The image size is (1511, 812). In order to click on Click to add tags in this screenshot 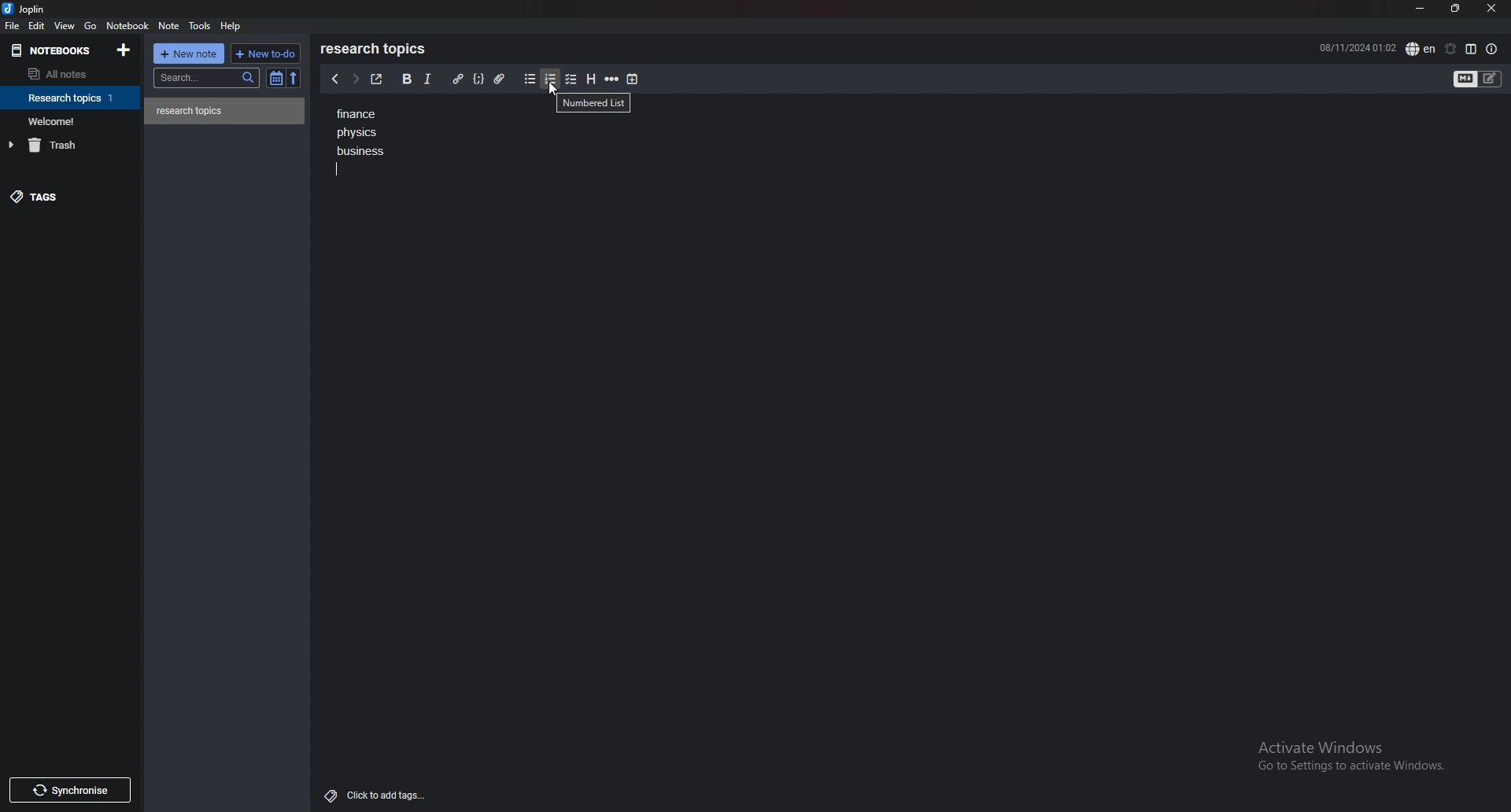, I will do `click(371, 795)`.